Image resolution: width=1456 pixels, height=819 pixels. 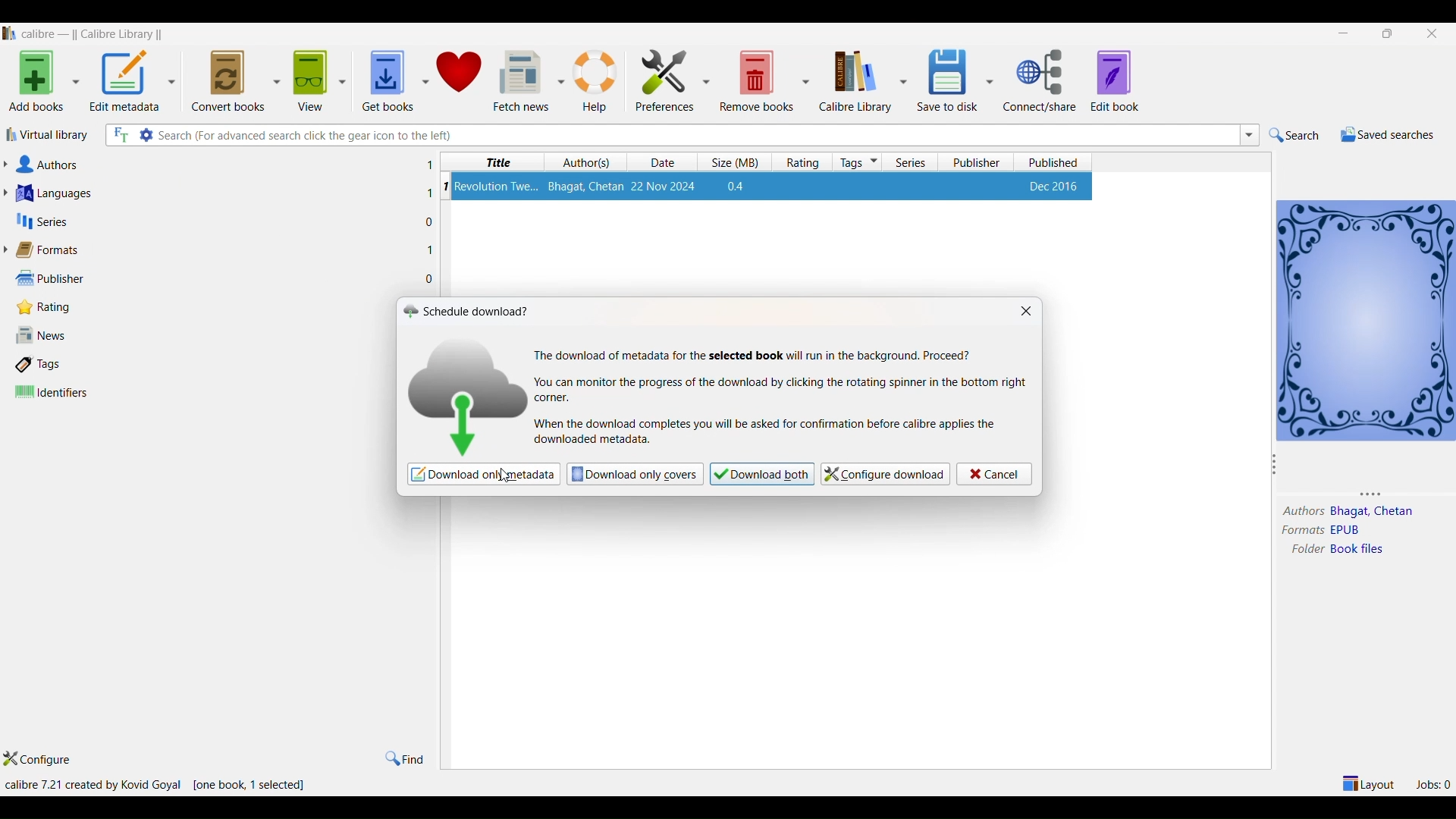 I want to click on folder, so click(x=1305, y=550).